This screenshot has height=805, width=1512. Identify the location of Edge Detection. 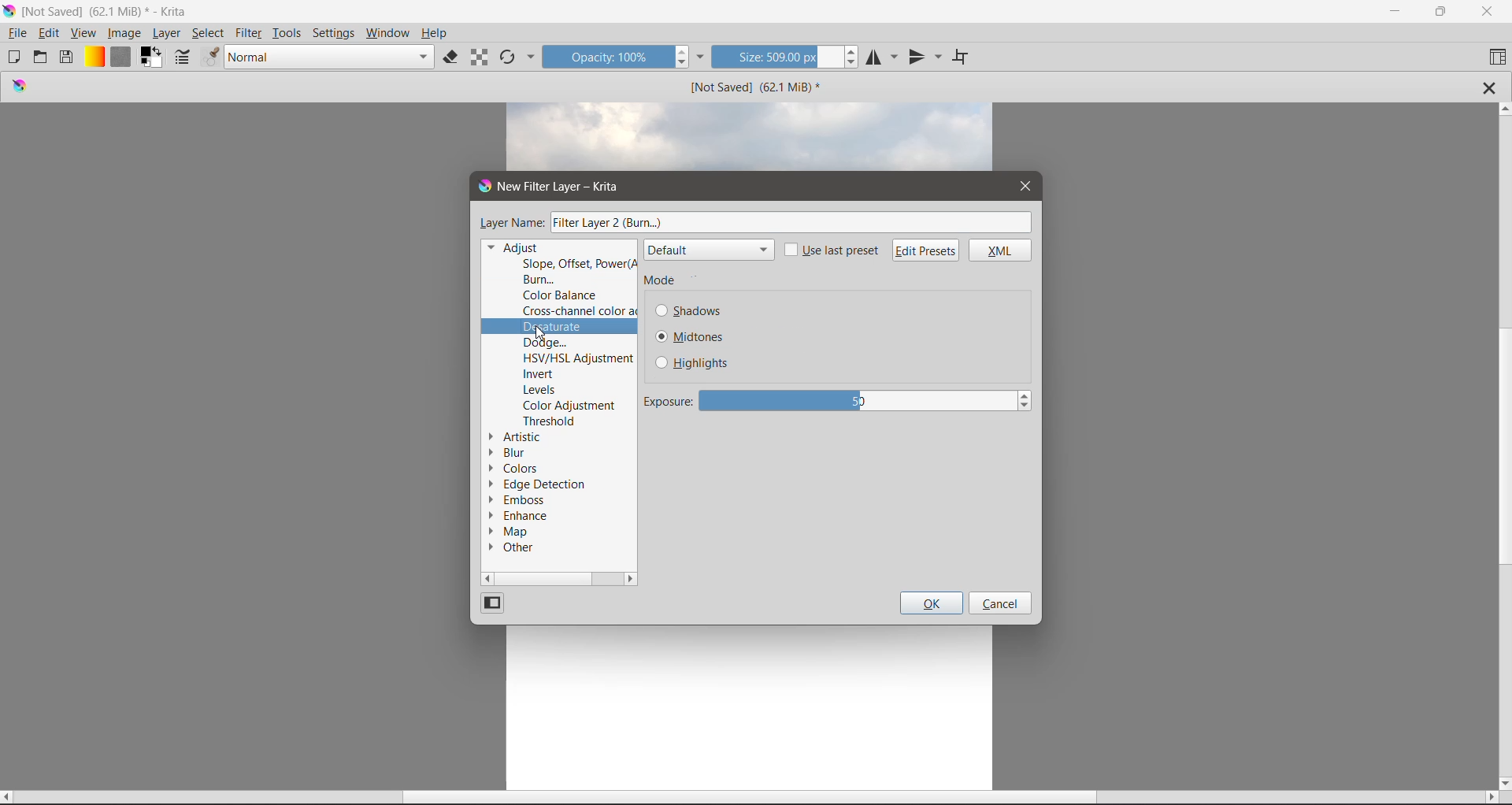
(540, 484).